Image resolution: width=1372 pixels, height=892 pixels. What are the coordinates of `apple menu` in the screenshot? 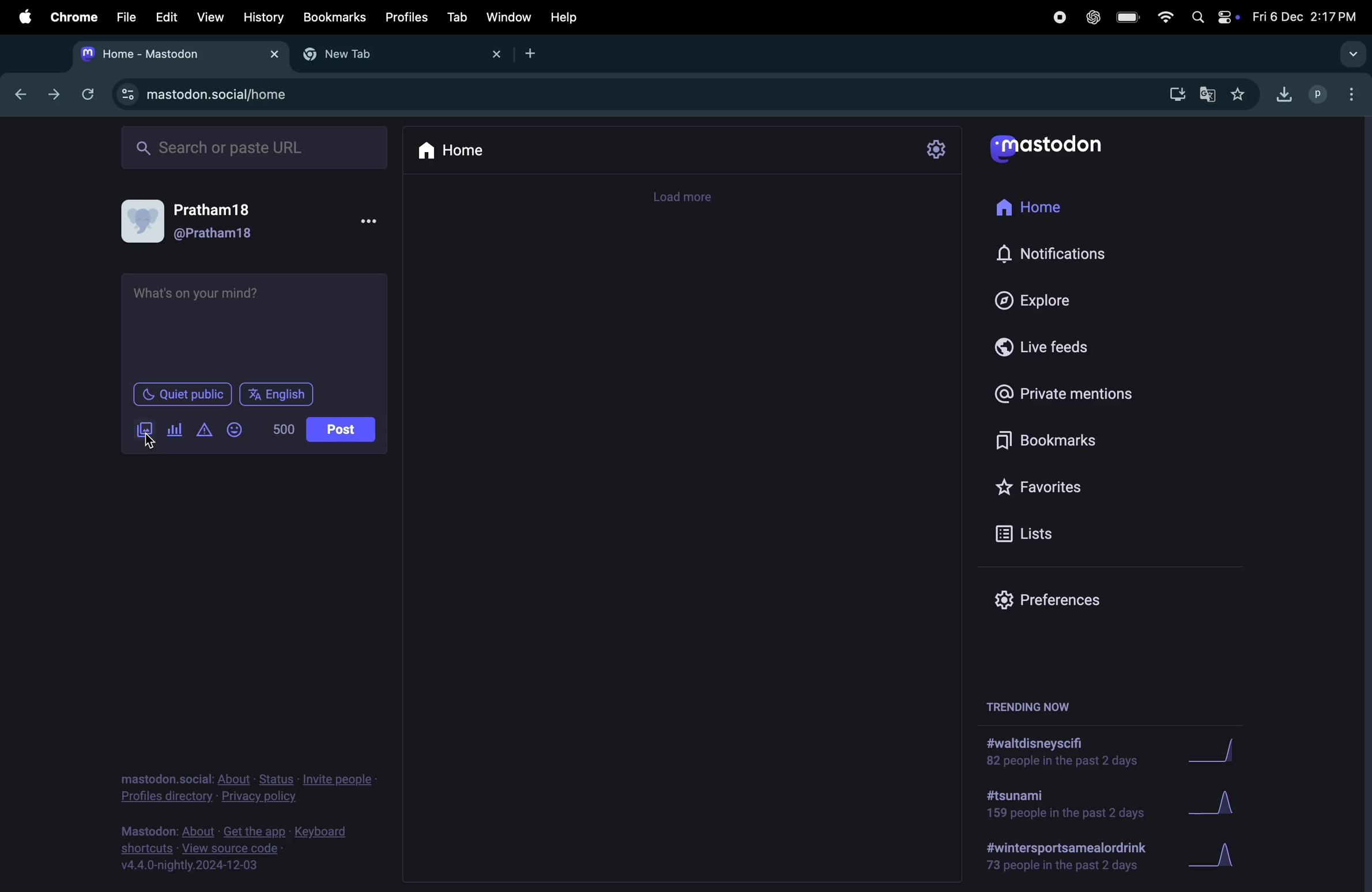 It's located at (24, 17).